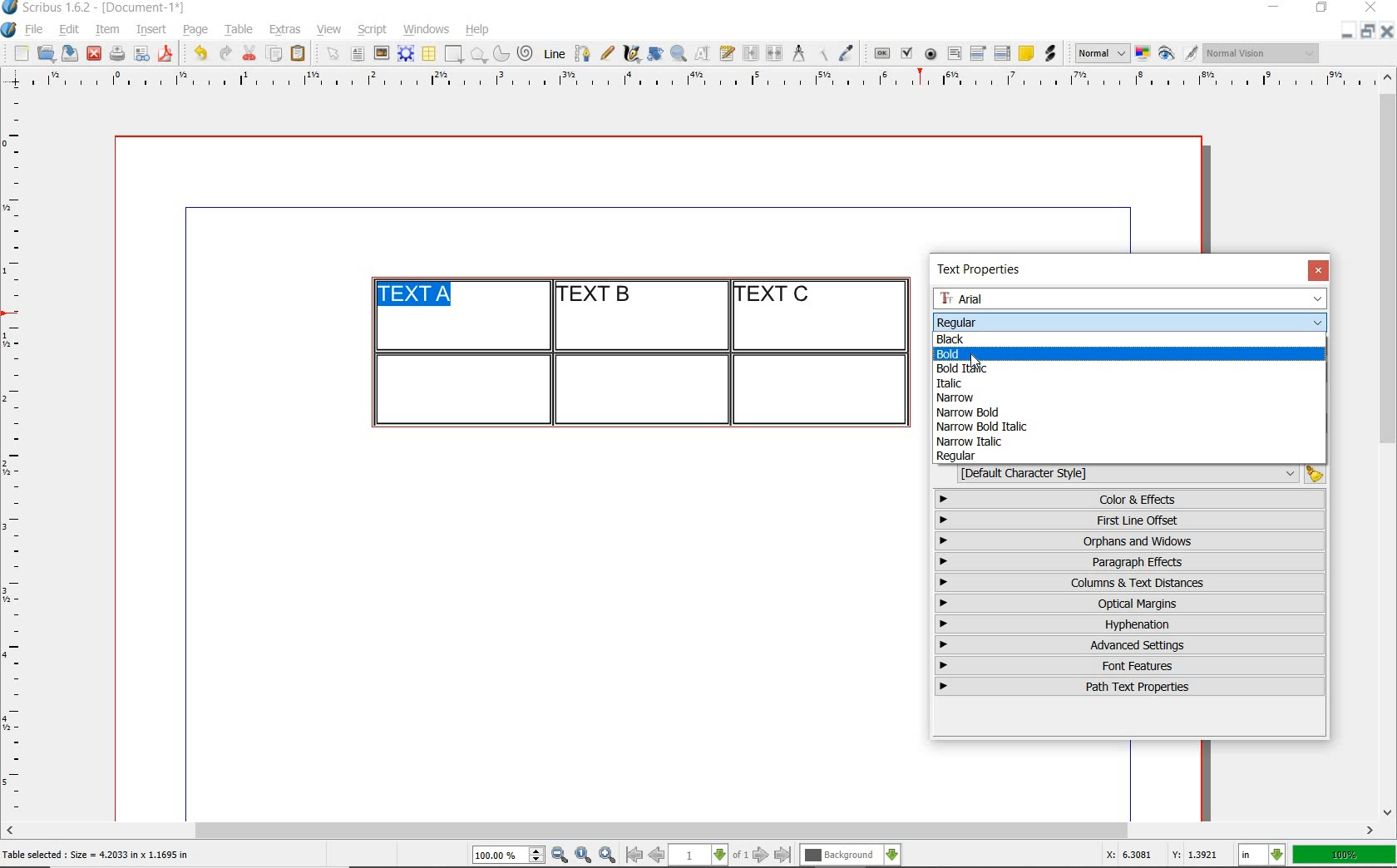 This screenshot has width=1397, height=868. What do you see at coordinates (478, 54) in the screenshot?
I see `polygon` at bounding box center [478, 54].